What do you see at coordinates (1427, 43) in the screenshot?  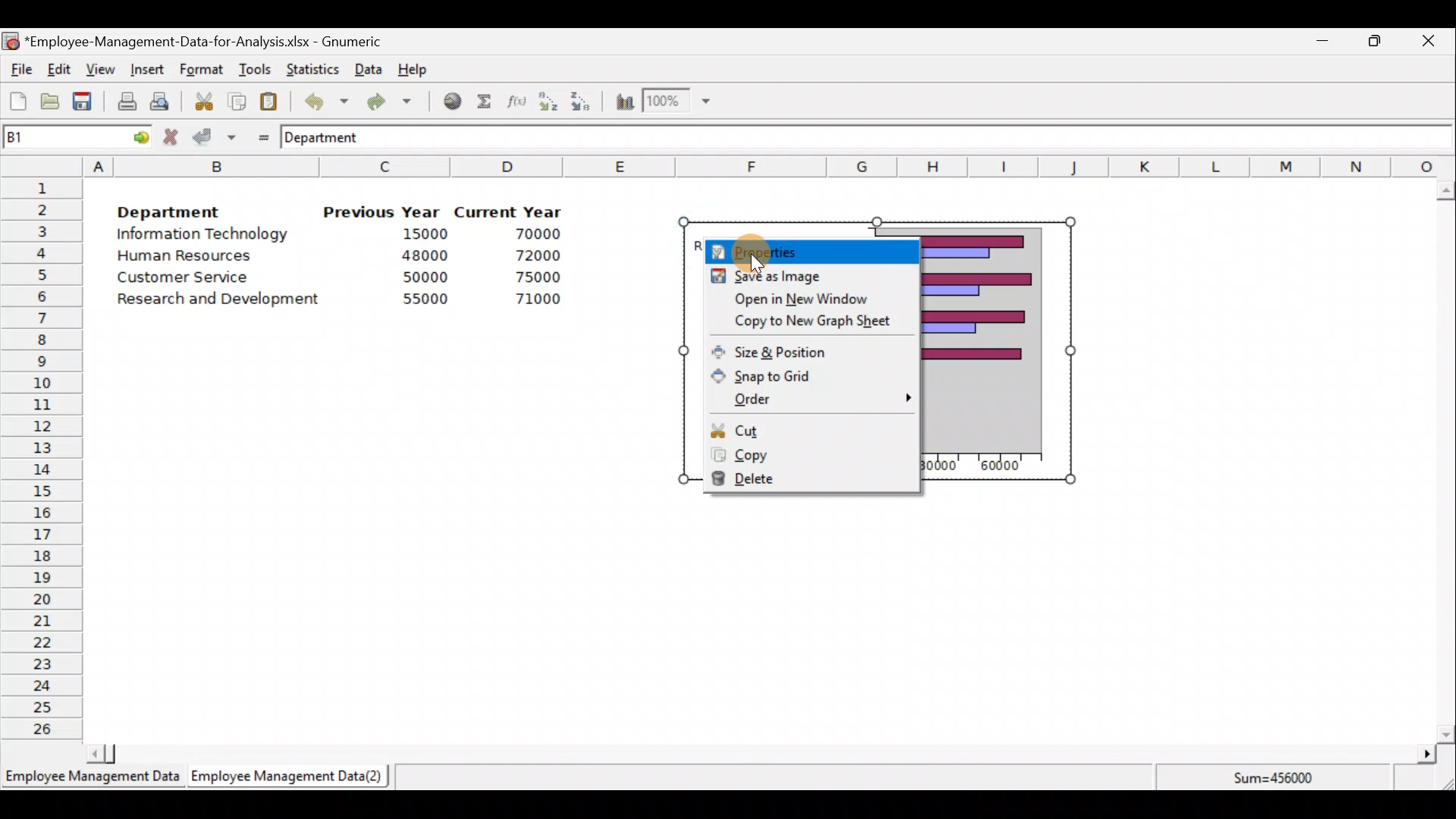 I see `Close` at bounding box center [1427, 43].